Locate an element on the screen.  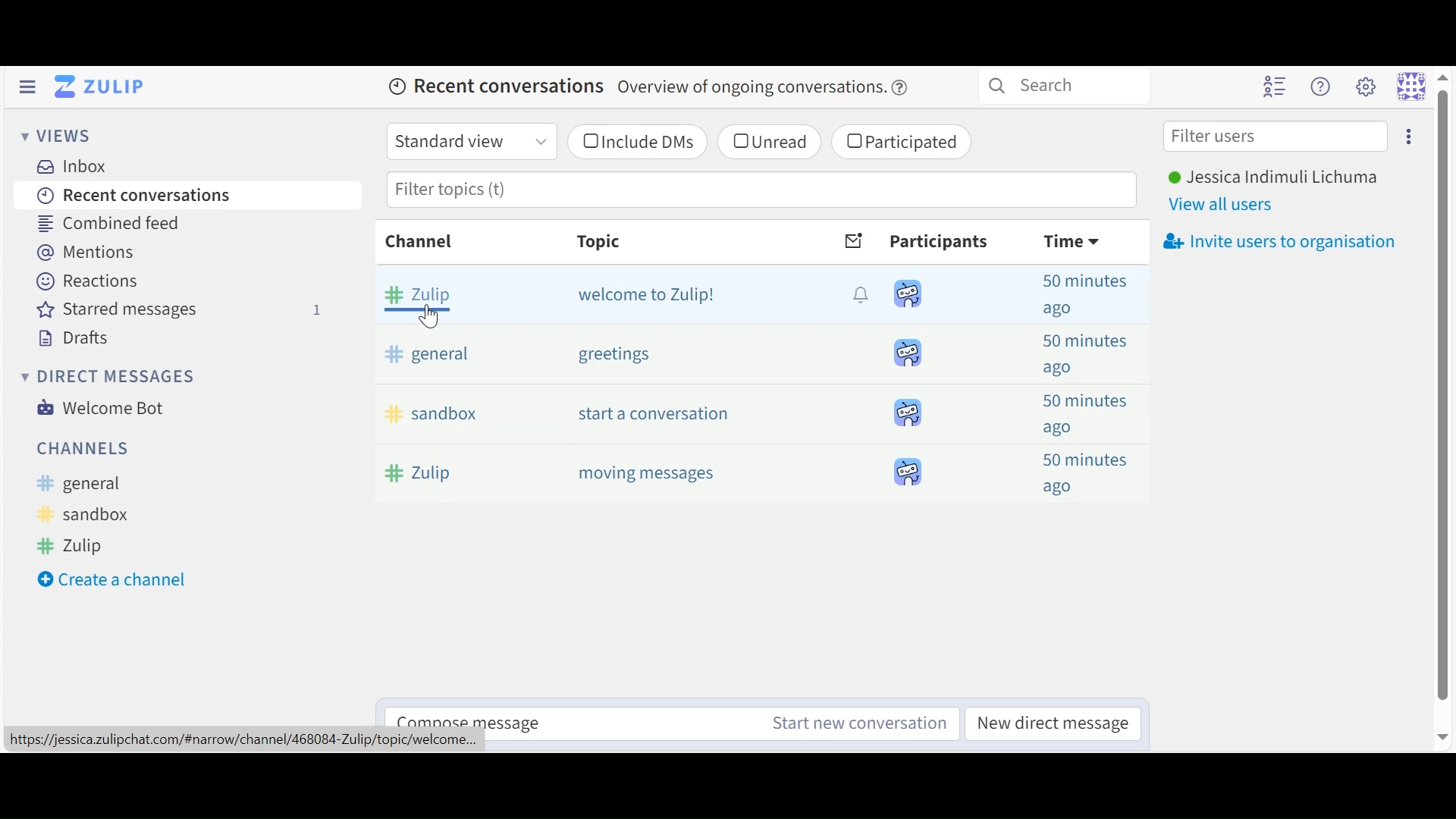
New Direct Message is located at coordinates (1053, 722).